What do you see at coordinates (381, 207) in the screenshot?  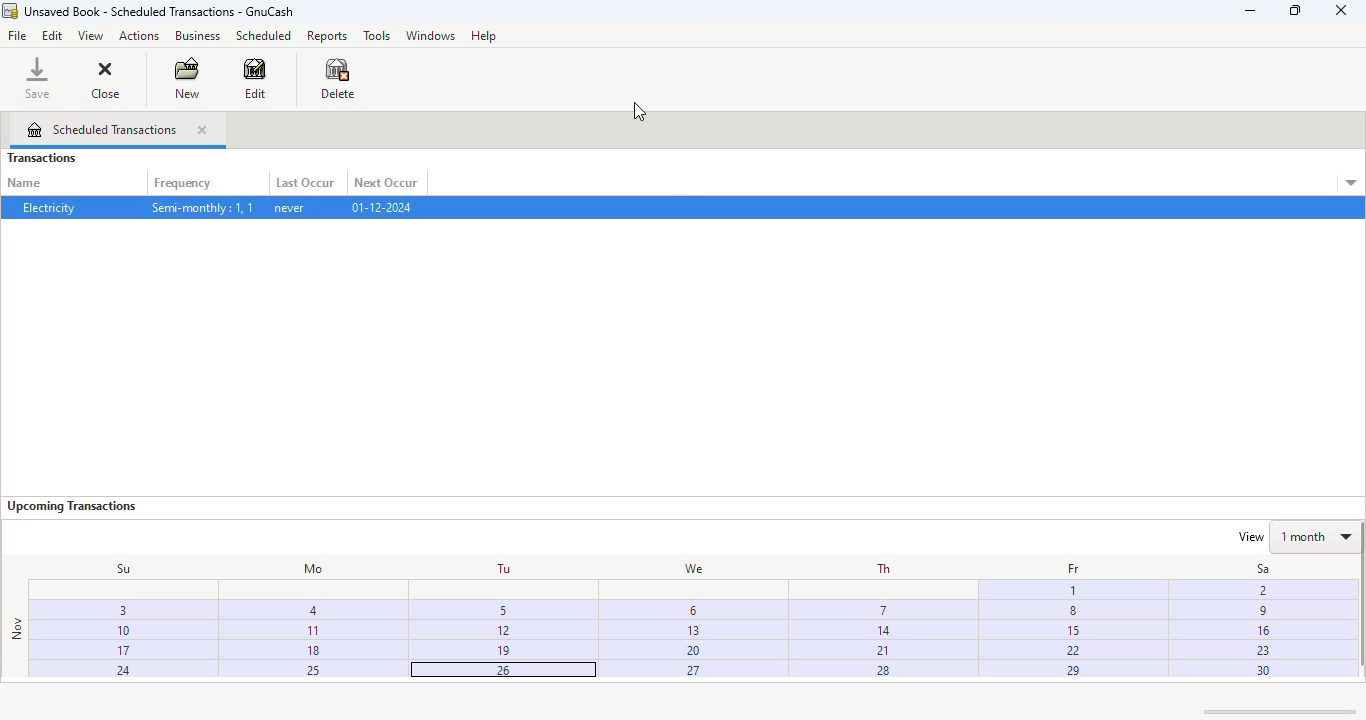 I see `01-12-2024` at bounding box center [381, 207].